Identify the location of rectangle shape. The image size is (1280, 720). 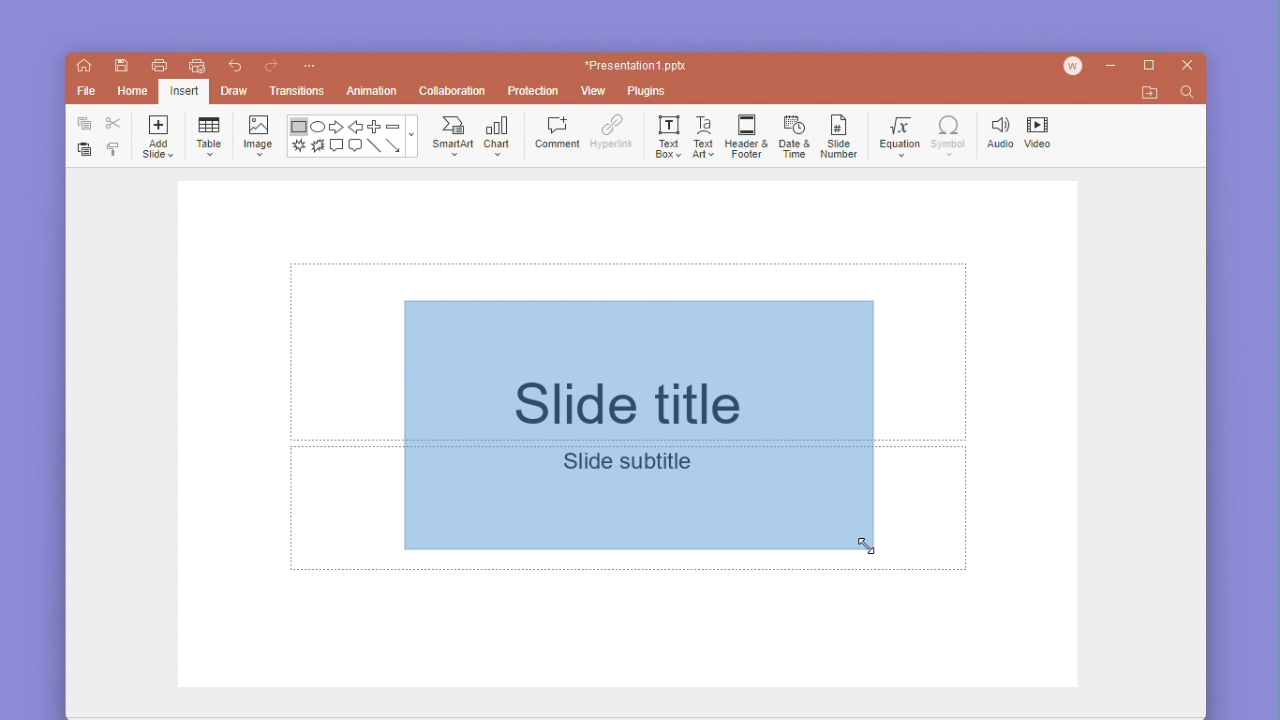
(298, 127).